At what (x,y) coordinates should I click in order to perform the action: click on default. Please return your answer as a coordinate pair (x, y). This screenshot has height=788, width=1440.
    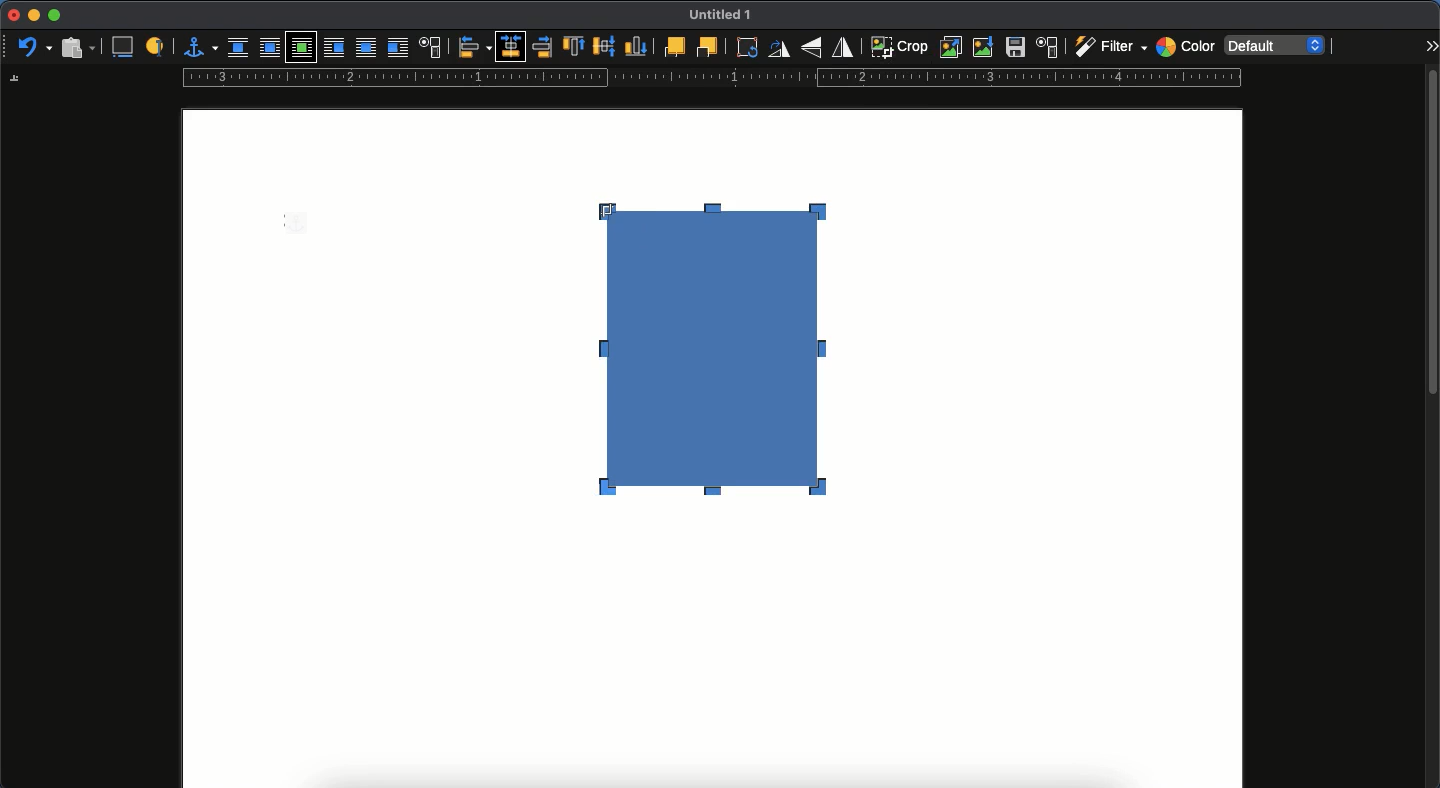
    Looking at the image, I should click on (1277, 44).